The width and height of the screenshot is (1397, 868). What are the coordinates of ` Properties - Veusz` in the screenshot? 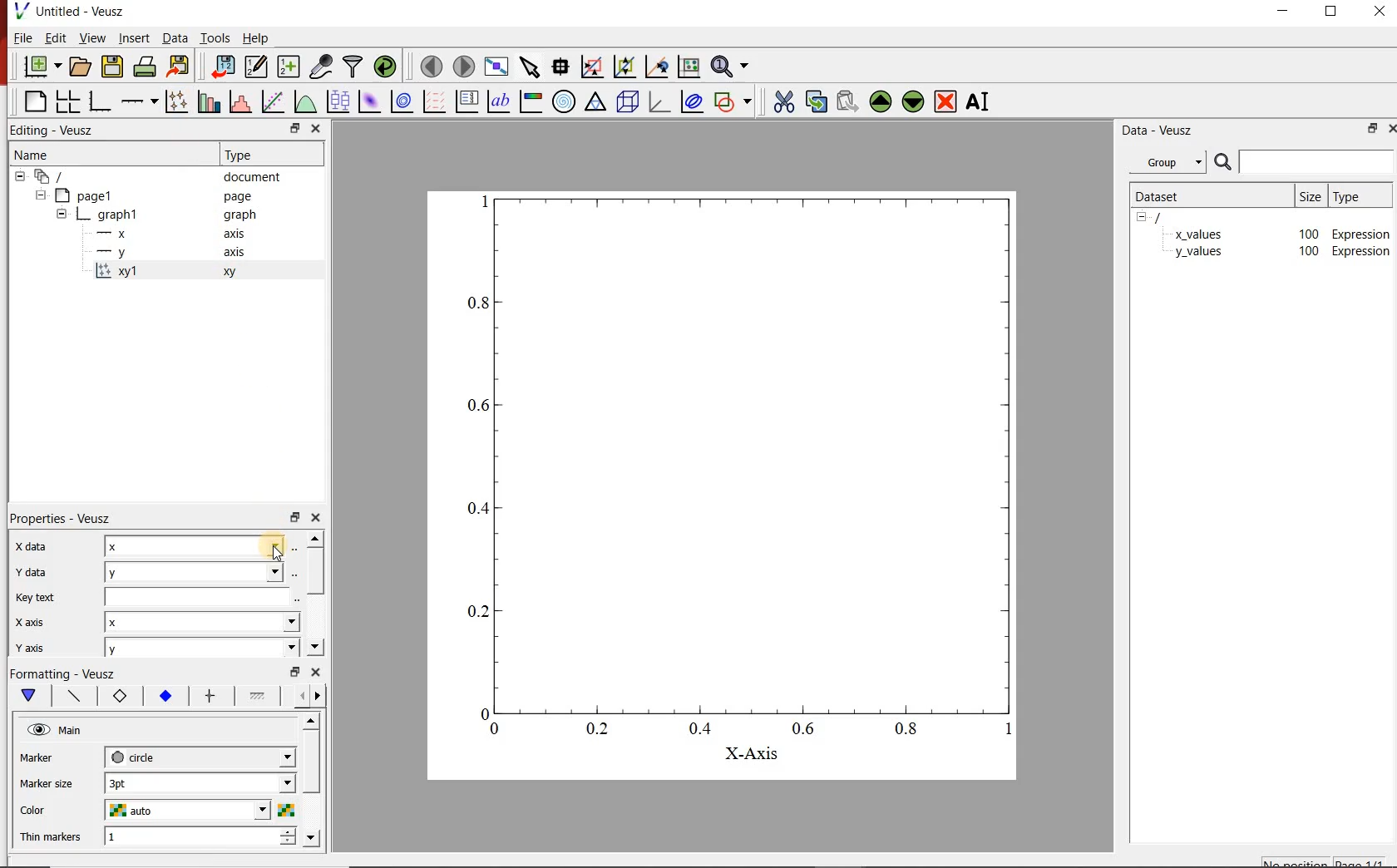 It's located at (65, 518).